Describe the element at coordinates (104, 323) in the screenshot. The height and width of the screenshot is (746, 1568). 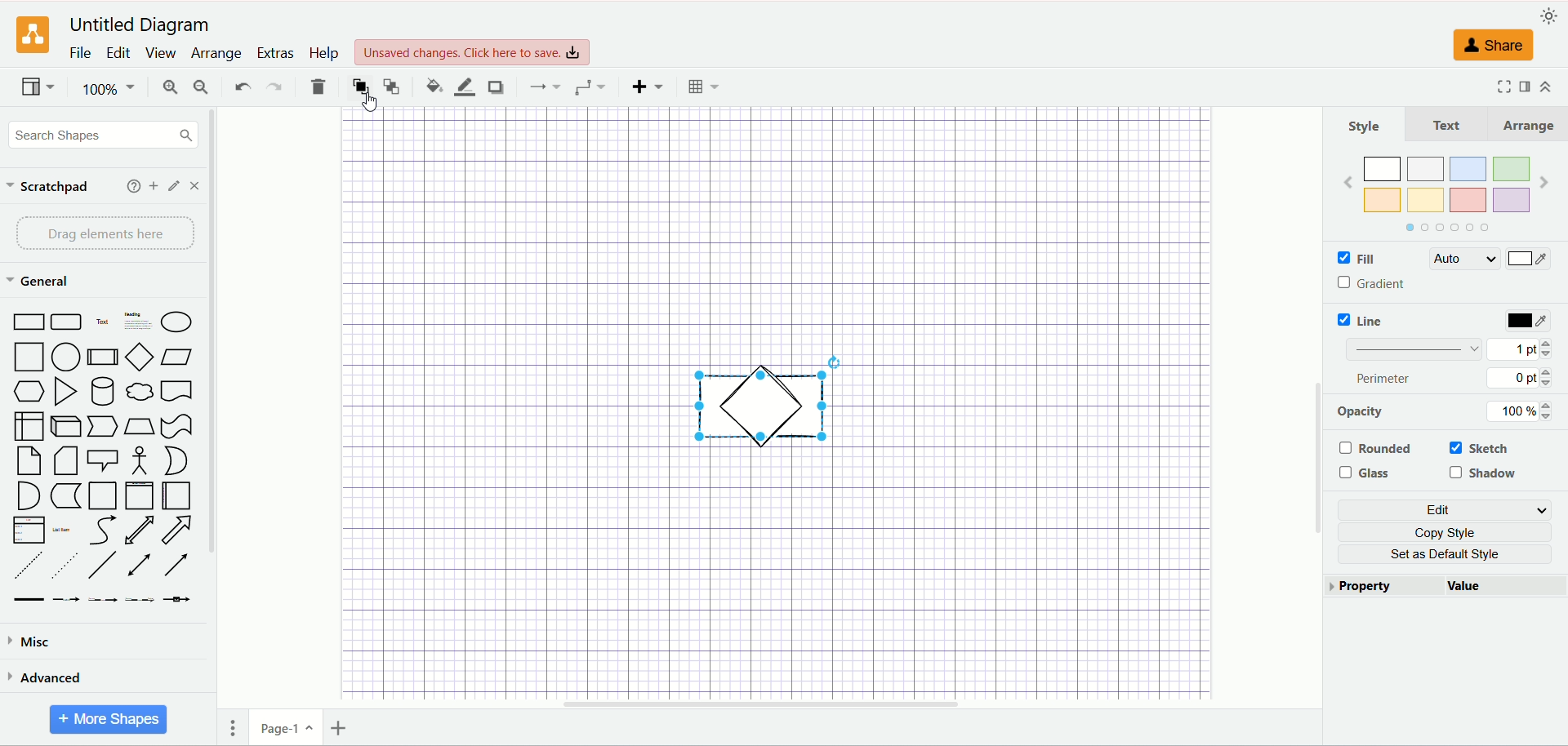
I see `Text` at that location.